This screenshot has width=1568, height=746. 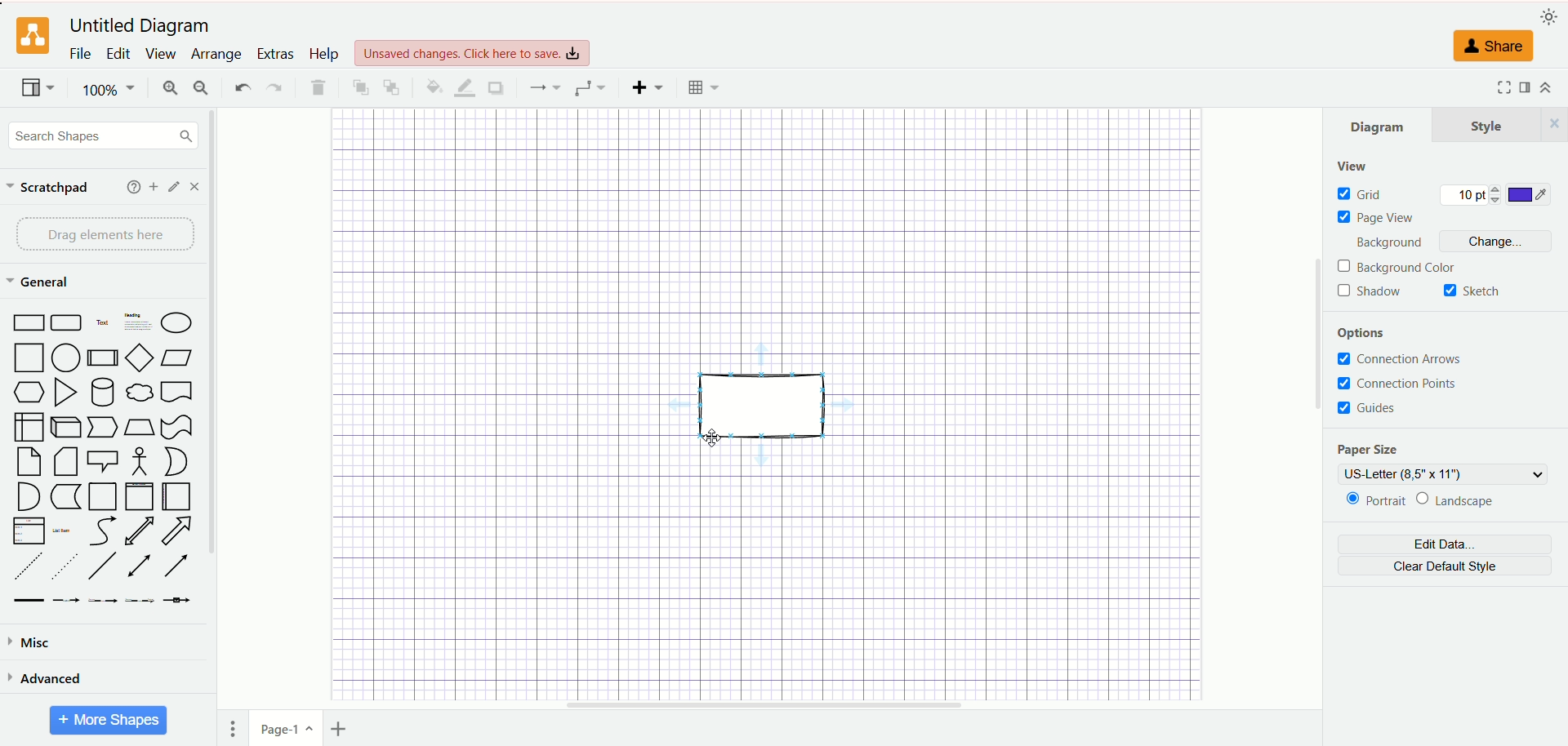 I want to click on clear default style, so click(x=1447, y=566).